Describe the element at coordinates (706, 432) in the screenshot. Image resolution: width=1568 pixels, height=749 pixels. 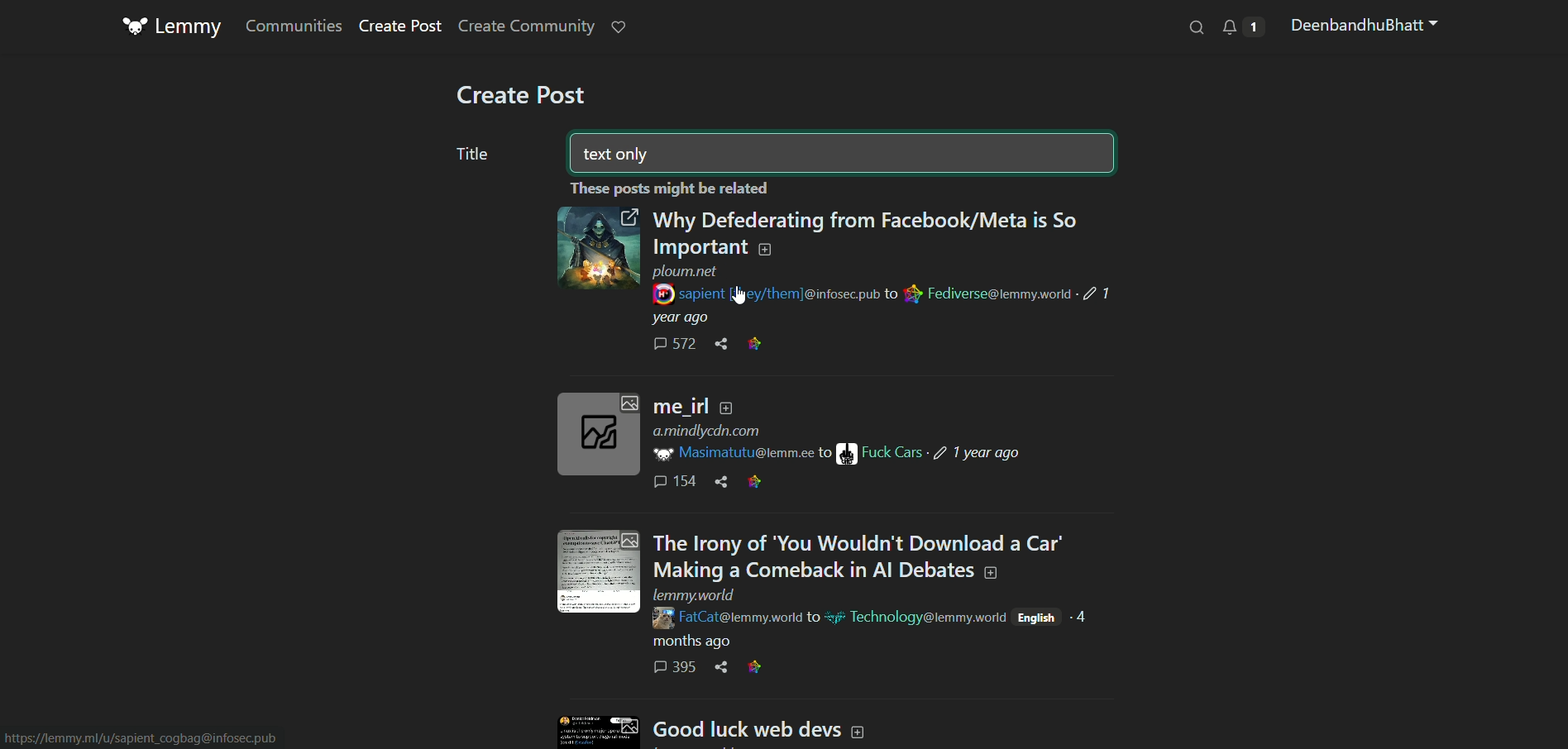
I see `Link to a.mindlycdn.com` at that location.